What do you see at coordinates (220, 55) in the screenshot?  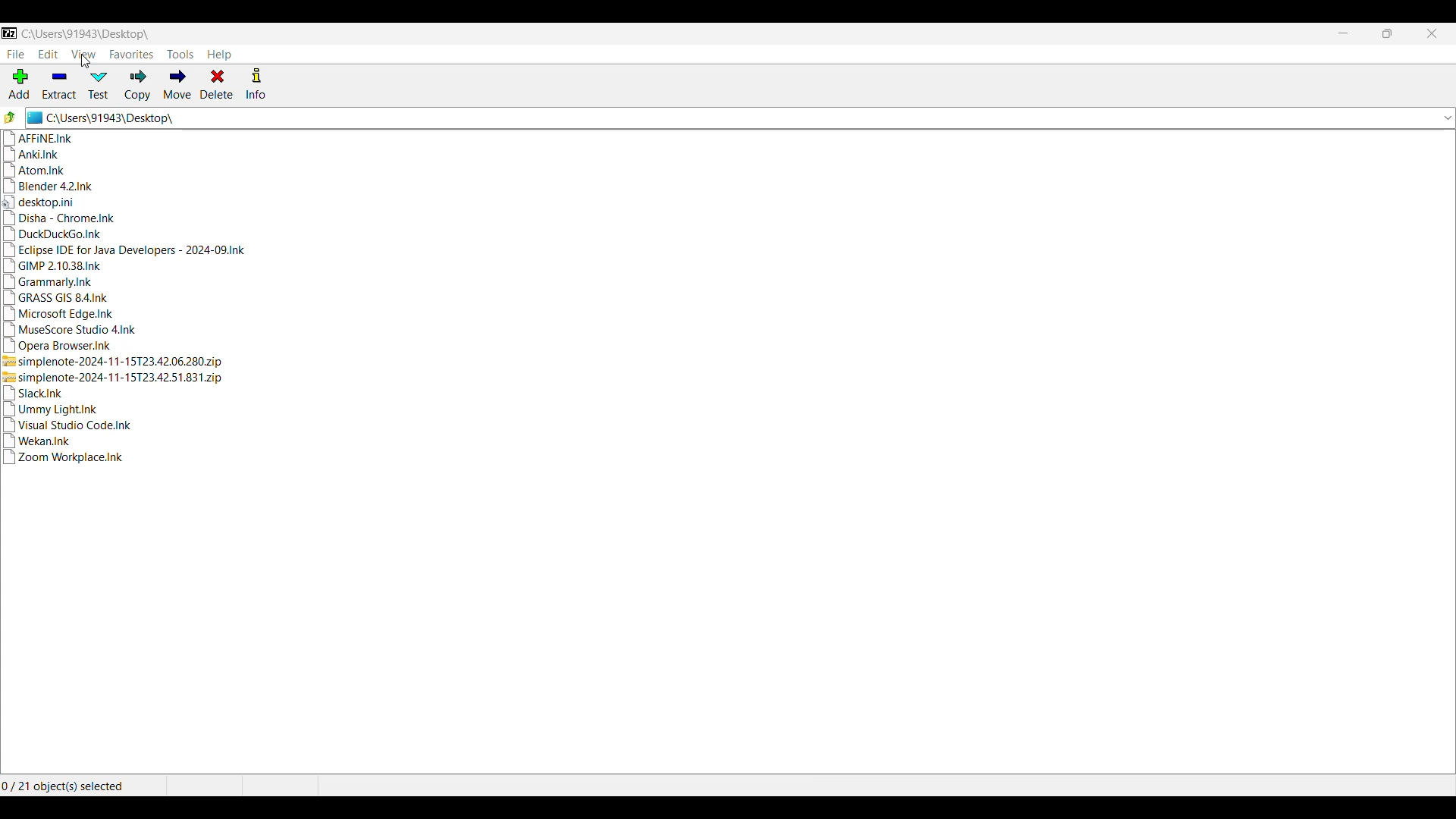 I see `Help` at bounding box center [220, 55].